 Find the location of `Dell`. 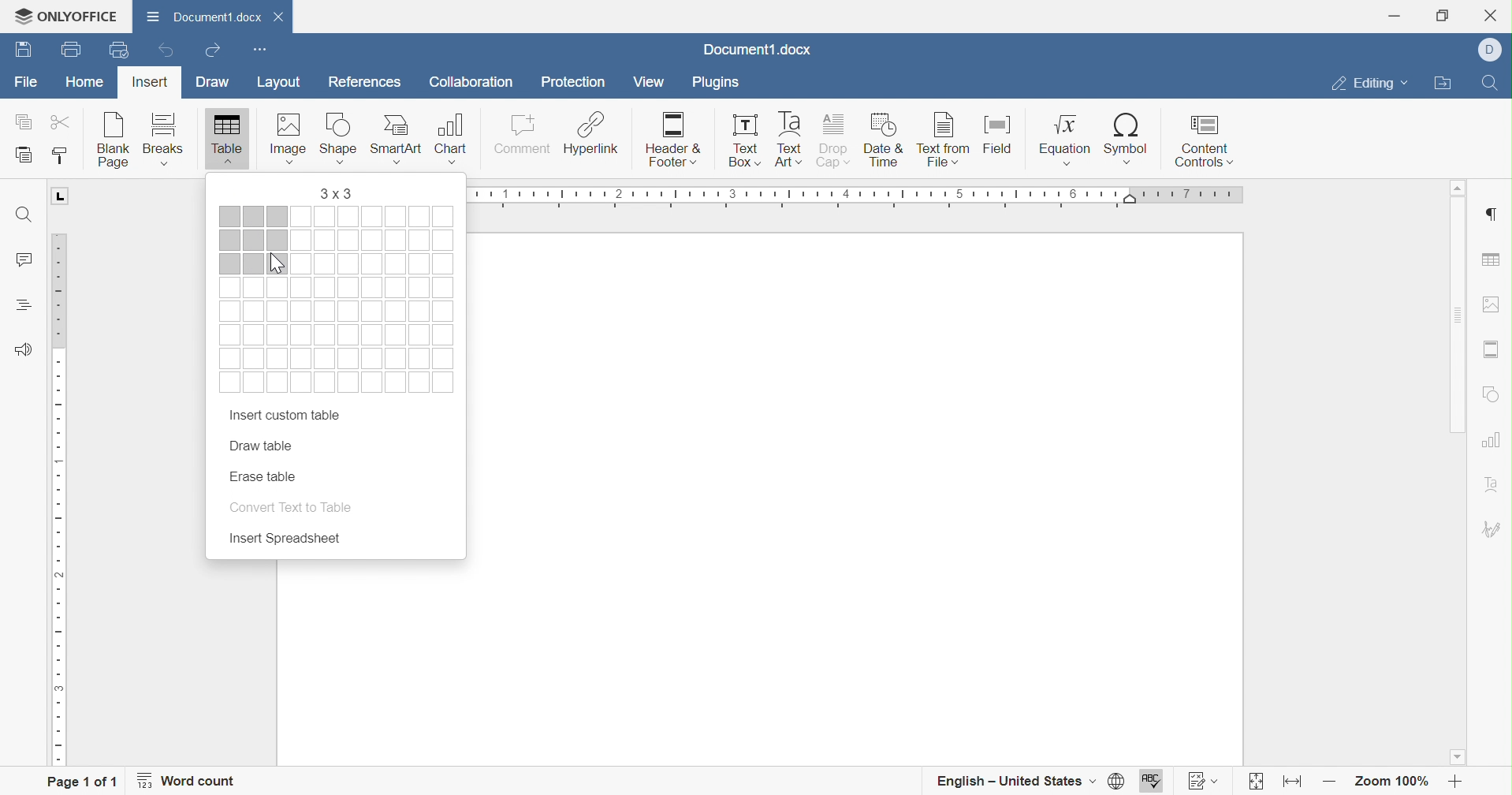

Dell is located at coordinates (1490, 51).